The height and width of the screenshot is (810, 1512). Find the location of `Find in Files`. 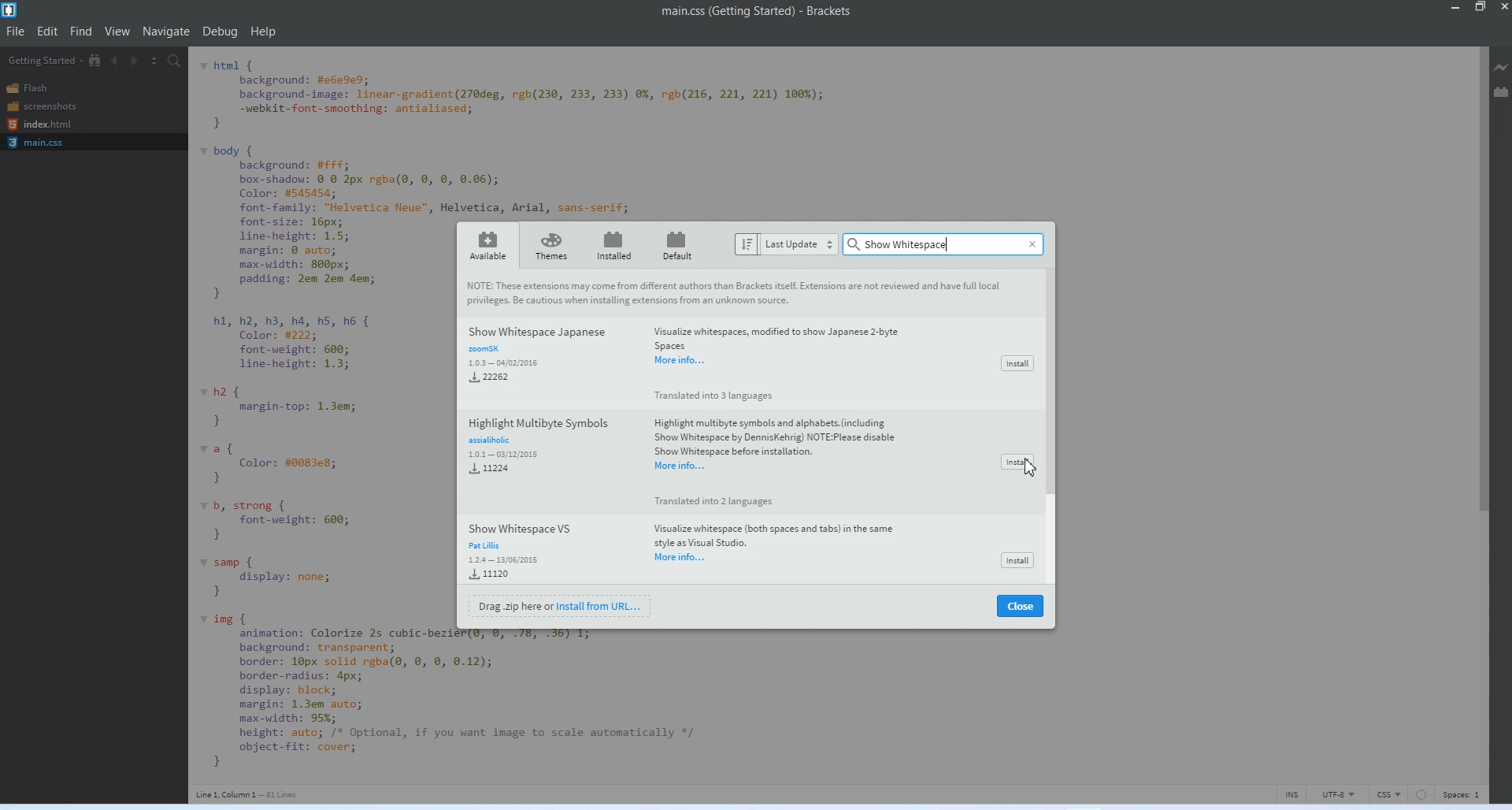

Find in Files is located at coordinates (176, 60).